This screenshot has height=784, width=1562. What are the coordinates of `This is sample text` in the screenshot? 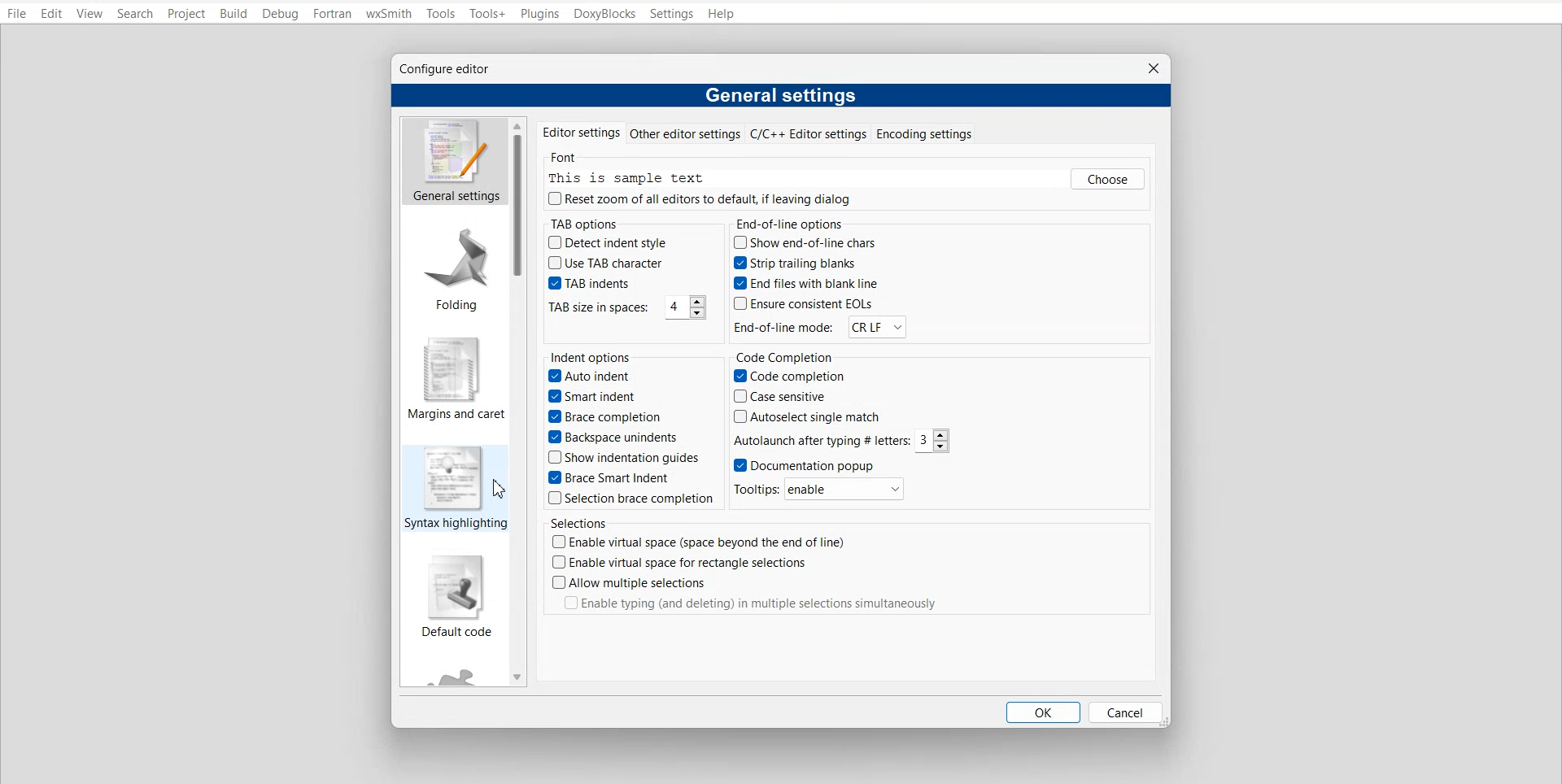 It's located at (630, 177).